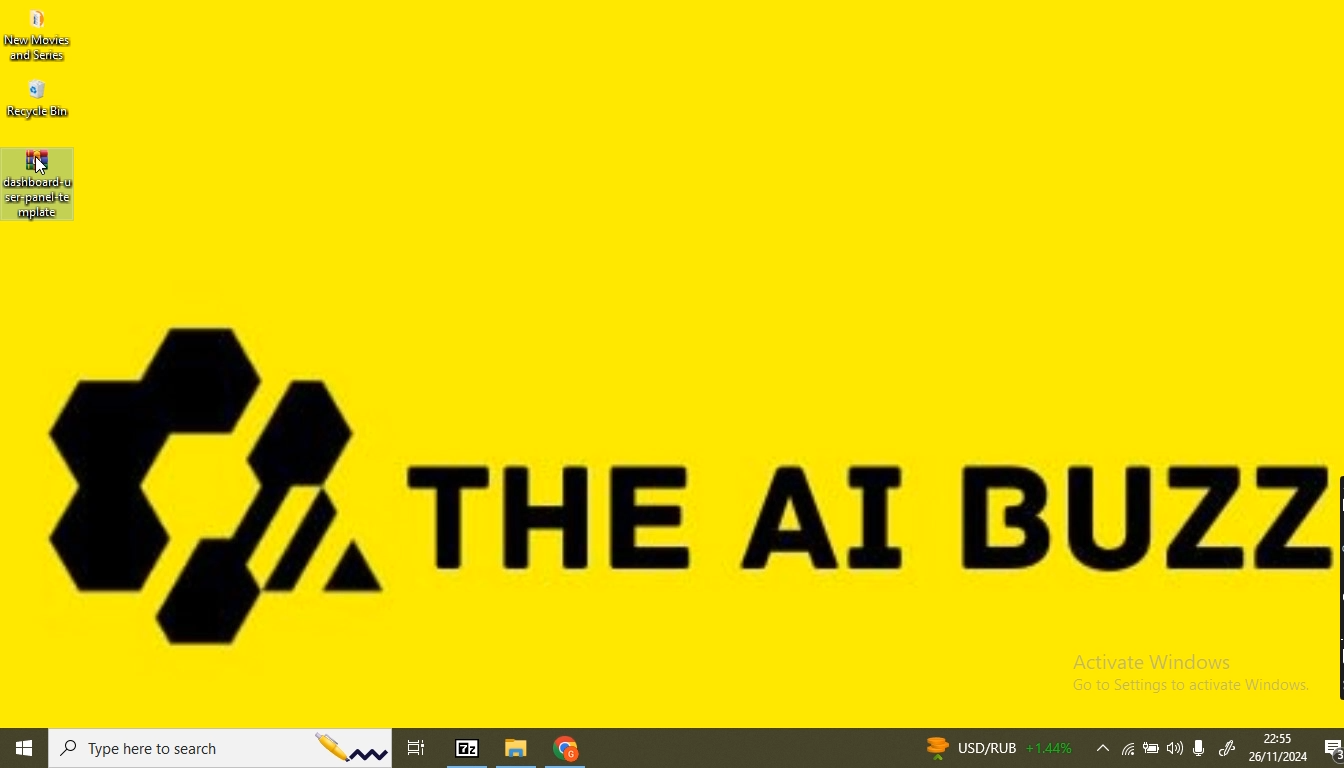 This screenshot has width=1344, height=768. What do you see at coordinates (565, 751) in the screenshot?
I see `chrome` at bounding box center [565, 751].